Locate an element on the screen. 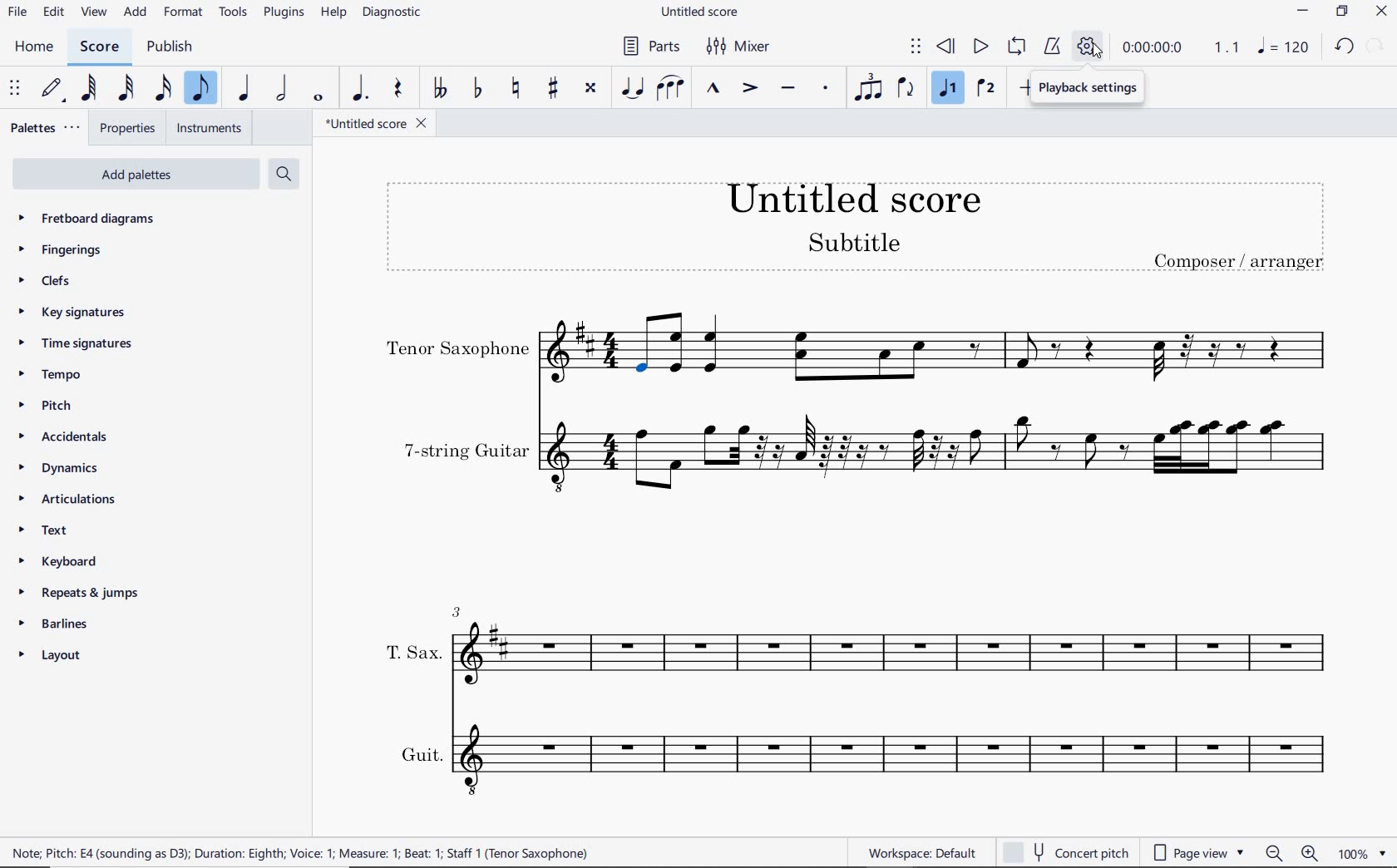  TIME SIGNATURES is located at coordinates (74, 343).